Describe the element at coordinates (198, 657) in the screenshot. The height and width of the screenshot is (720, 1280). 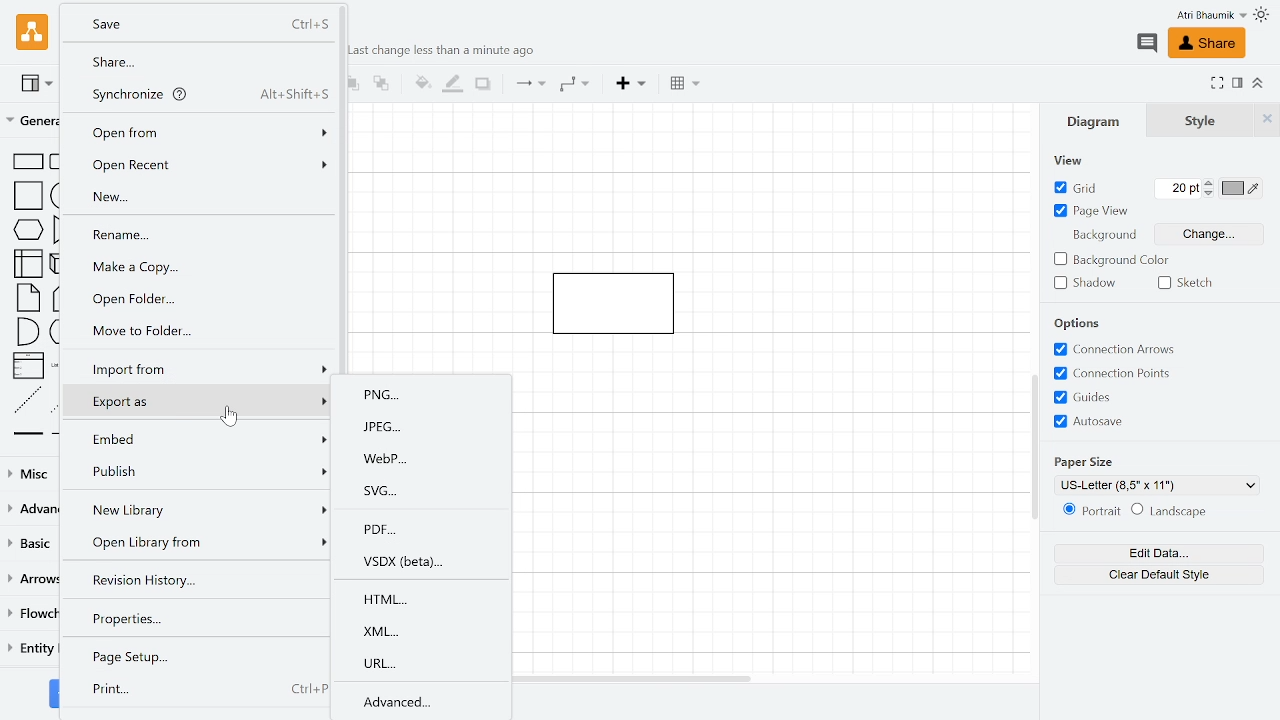
I see `Page setup` at that location.